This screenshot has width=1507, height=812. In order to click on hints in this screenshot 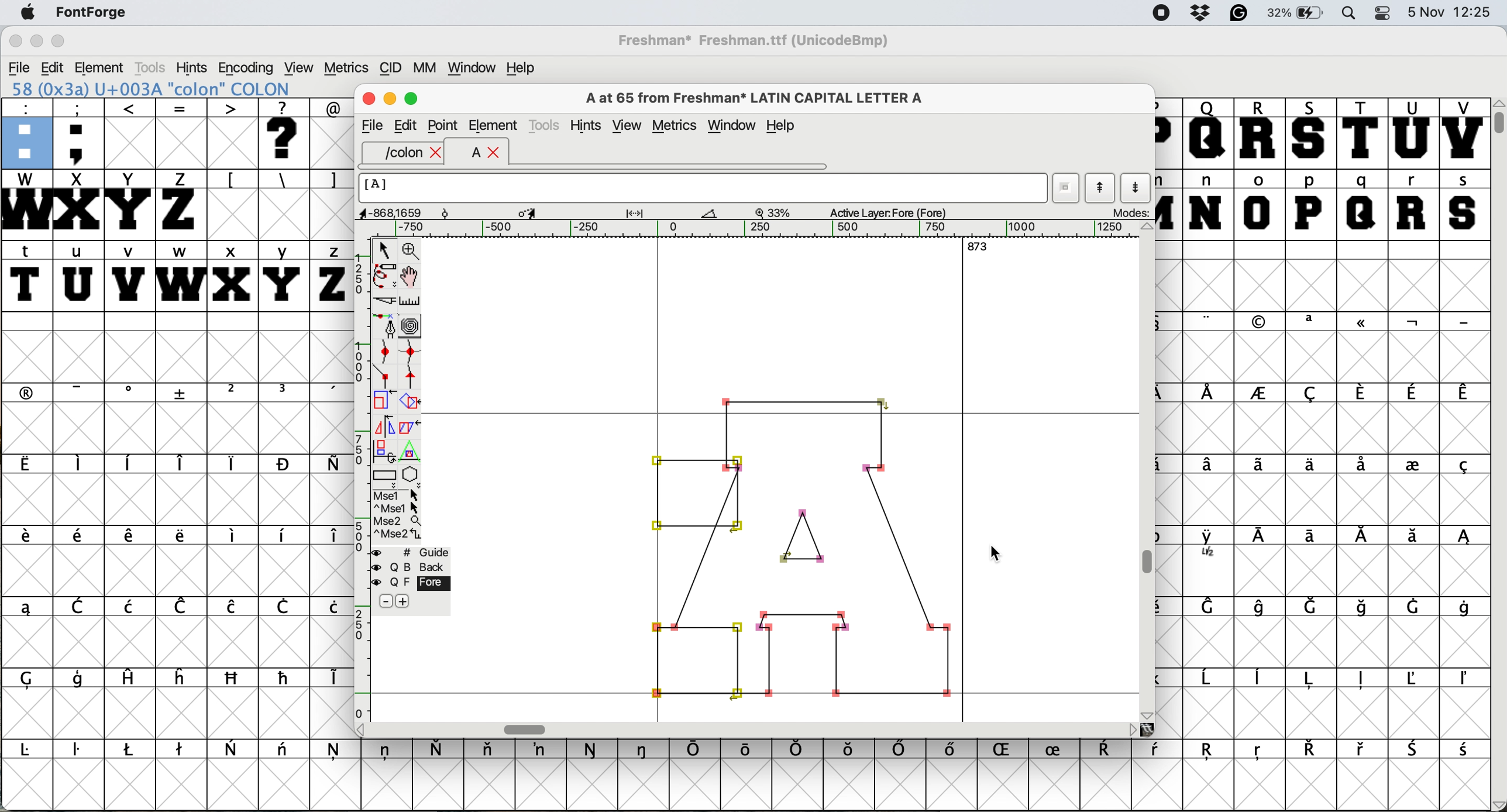, I will do `click(194, 67)`.